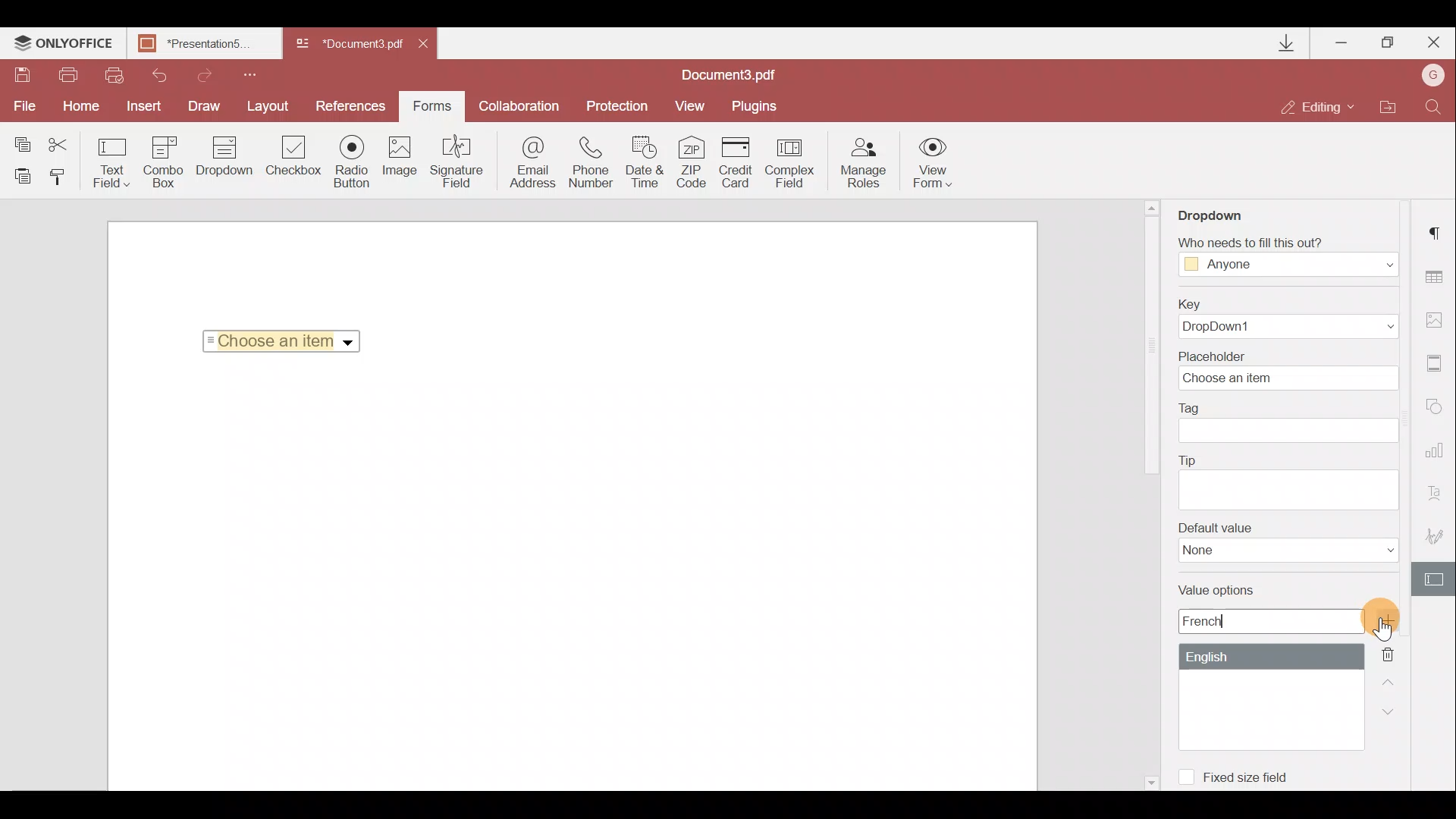  I want to click on Image, so click(401, 163).